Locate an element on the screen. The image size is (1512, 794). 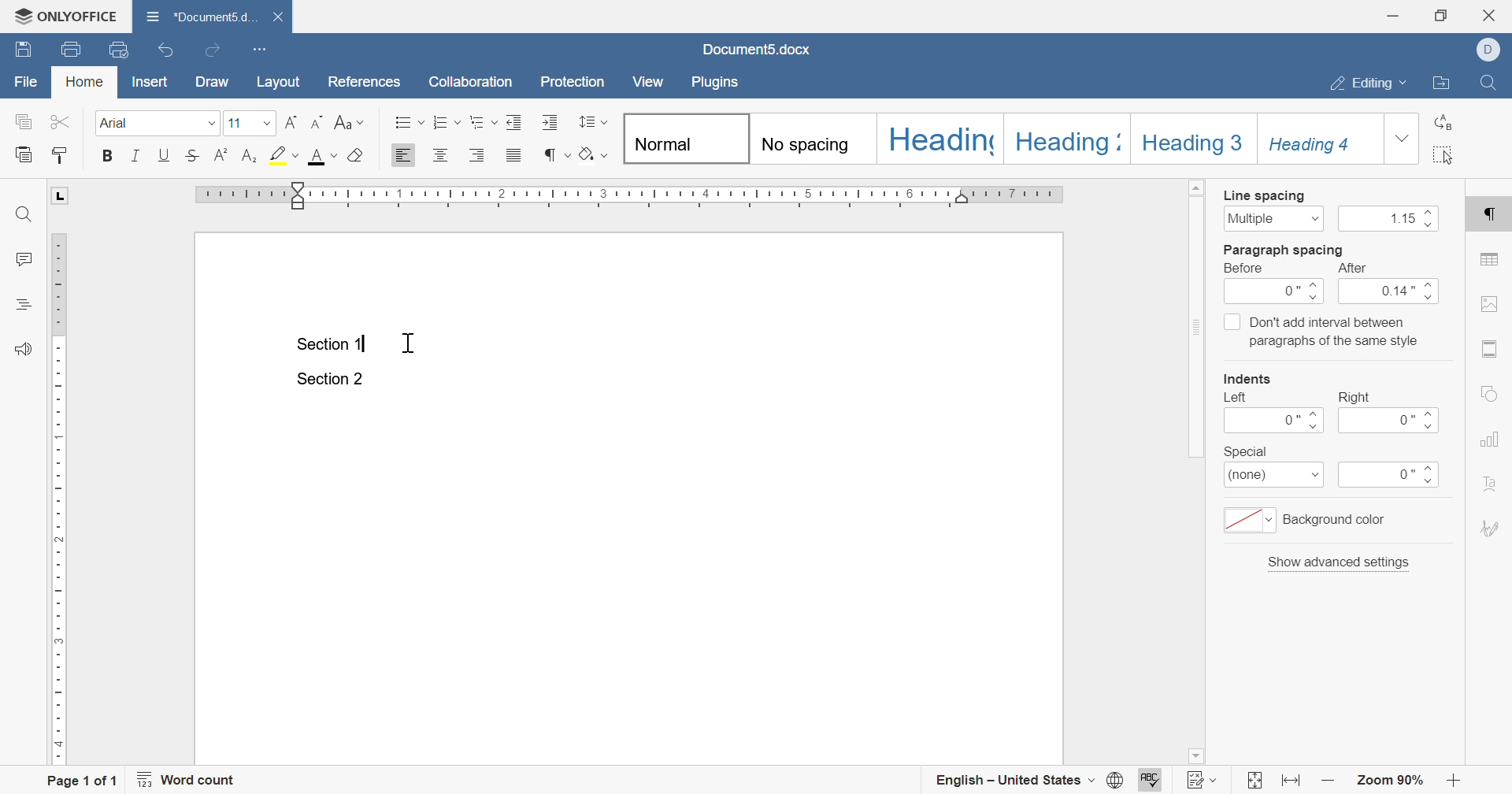
before is located at coordinates (1247, 269).